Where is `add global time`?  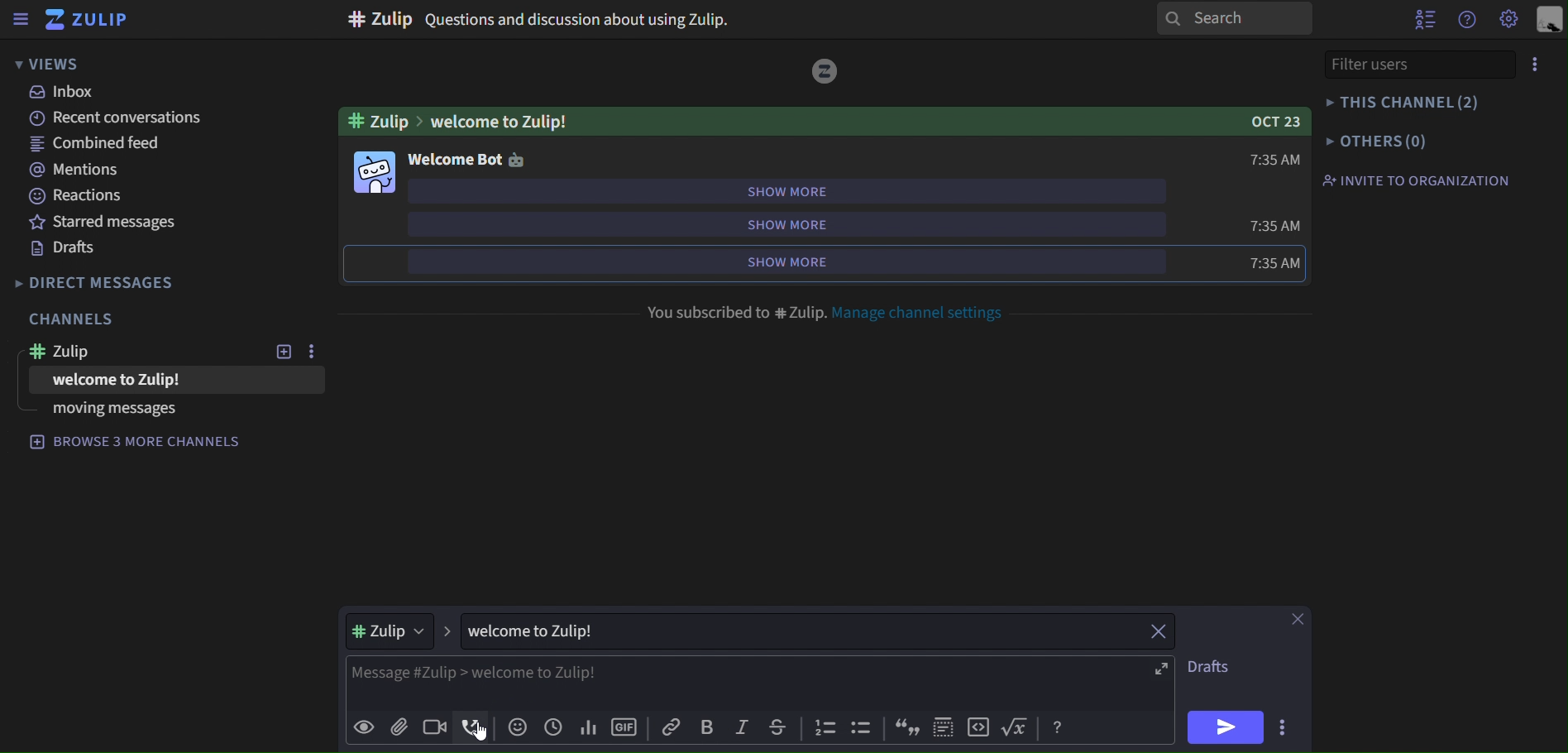 add global time is located at coordinates (552, 727).